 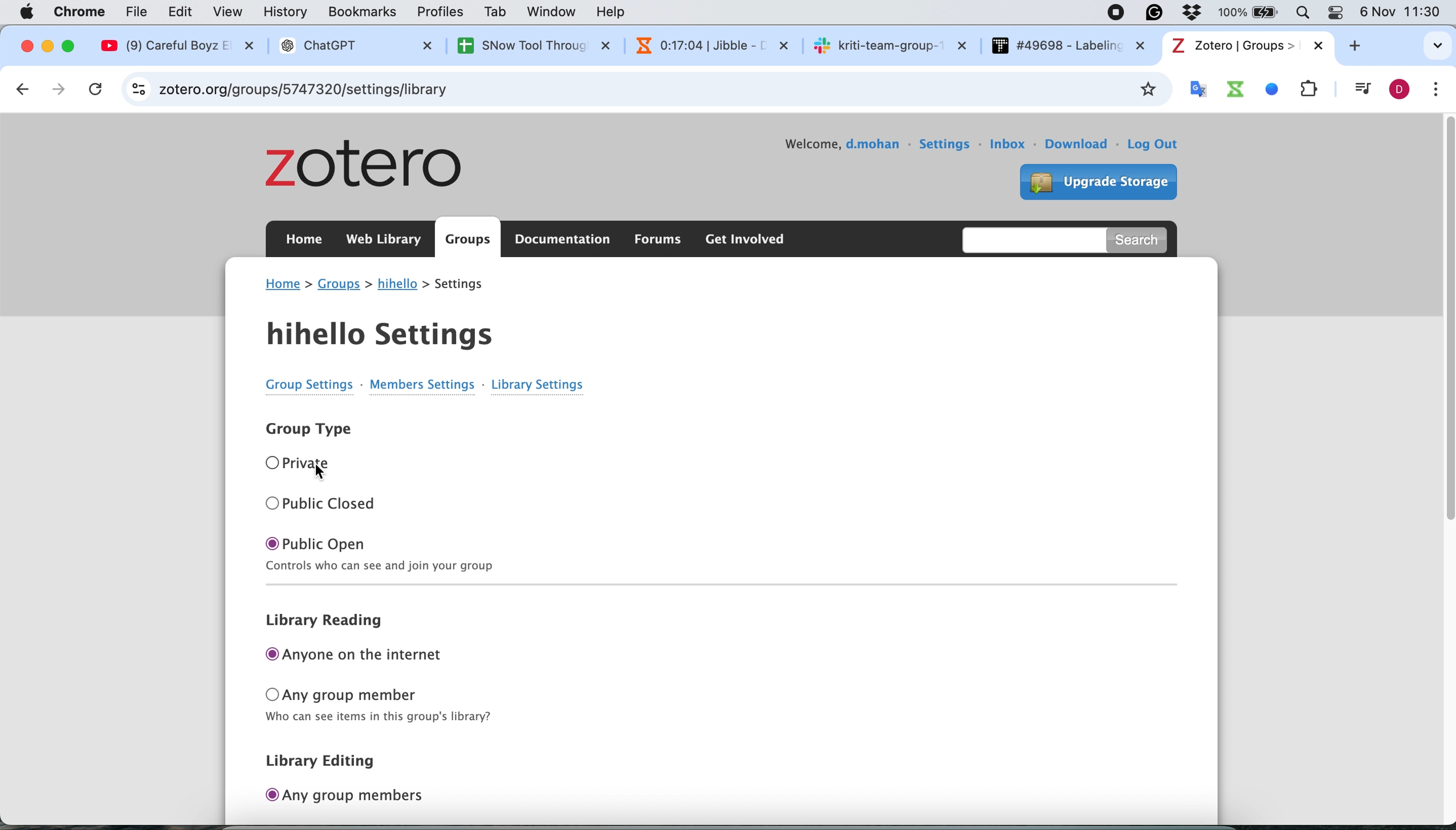 What do you see at coordinates (1250, 13) in the screenshot?
I see `Battery percentage` at bounding box center [1250, 13].